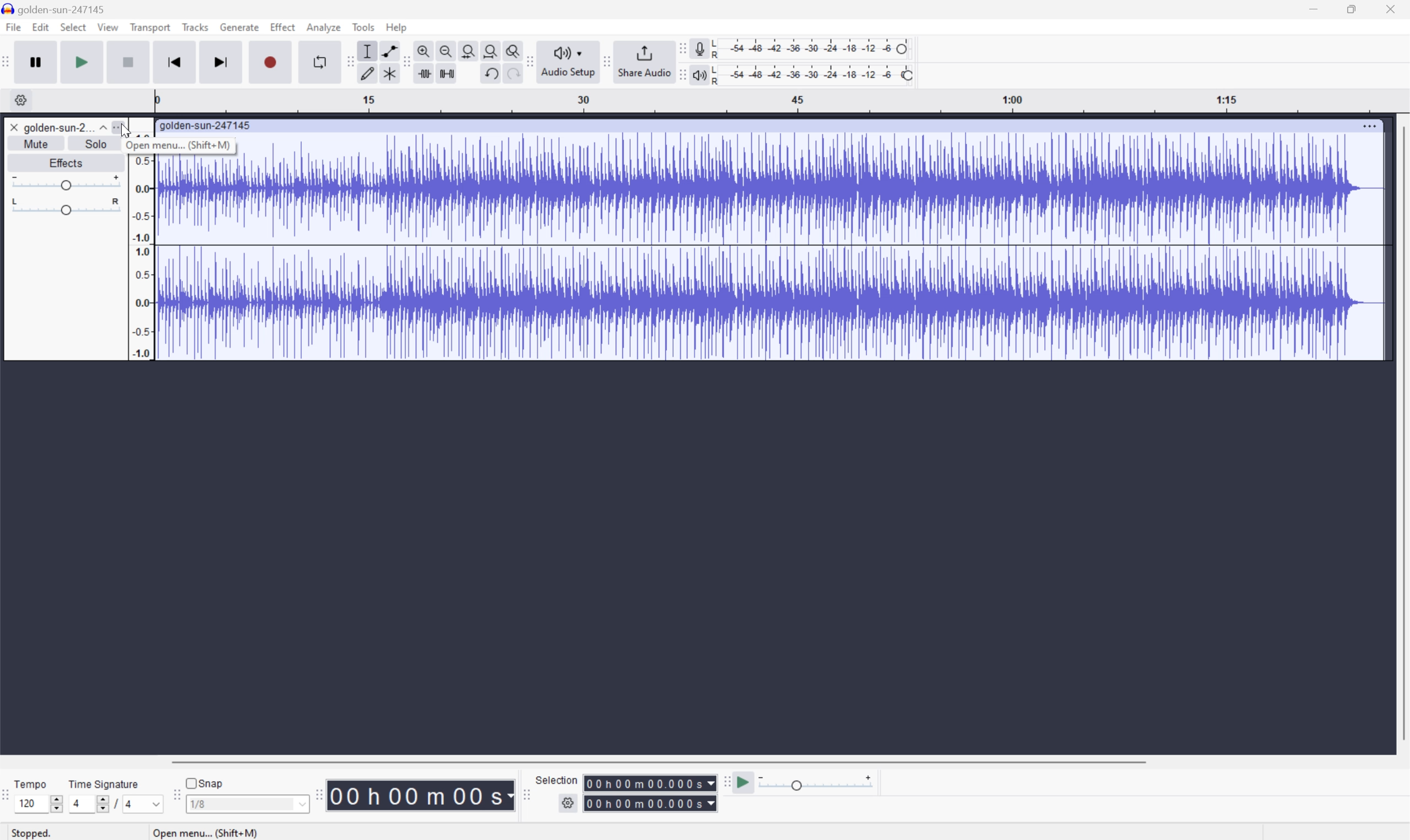 The width and height of the screenshot is (1410, 840). Describe the element at coordinates (699, 74) in the screenshot. I see `Playback meter` at that location.